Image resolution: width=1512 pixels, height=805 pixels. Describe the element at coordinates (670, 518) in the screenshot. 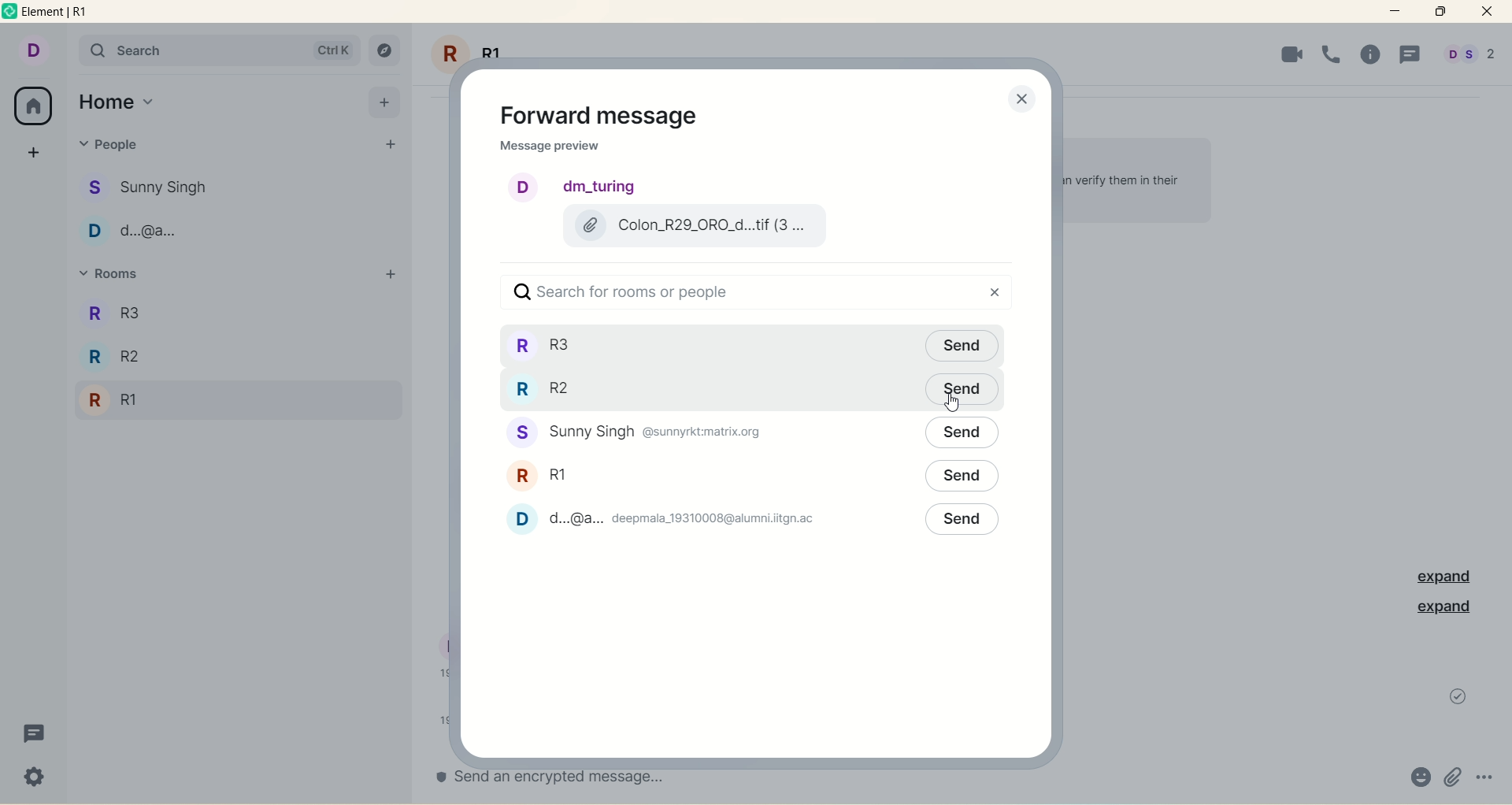

I see `people` at that location.